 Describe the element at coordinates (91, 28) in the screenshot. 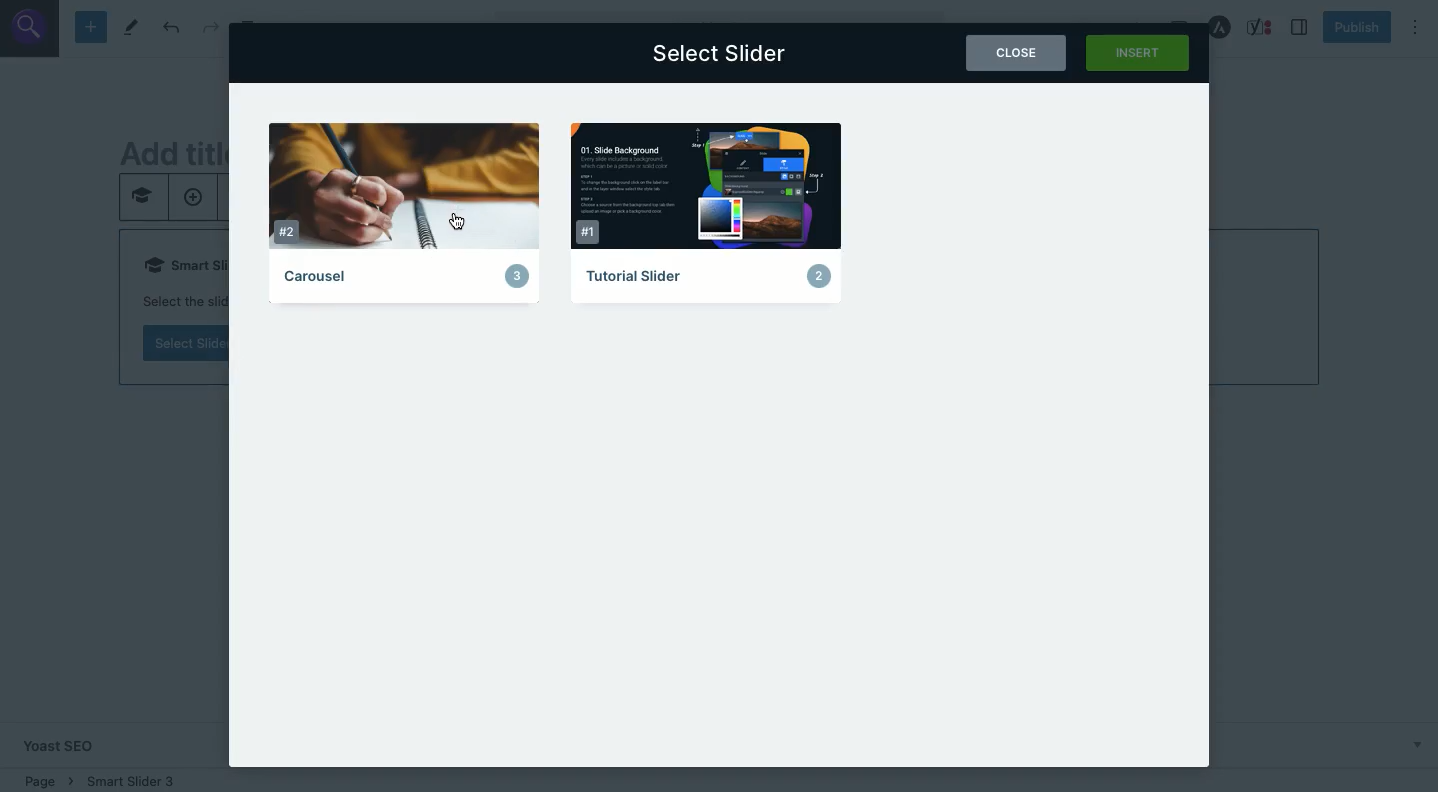

I see `Add block` at that location.